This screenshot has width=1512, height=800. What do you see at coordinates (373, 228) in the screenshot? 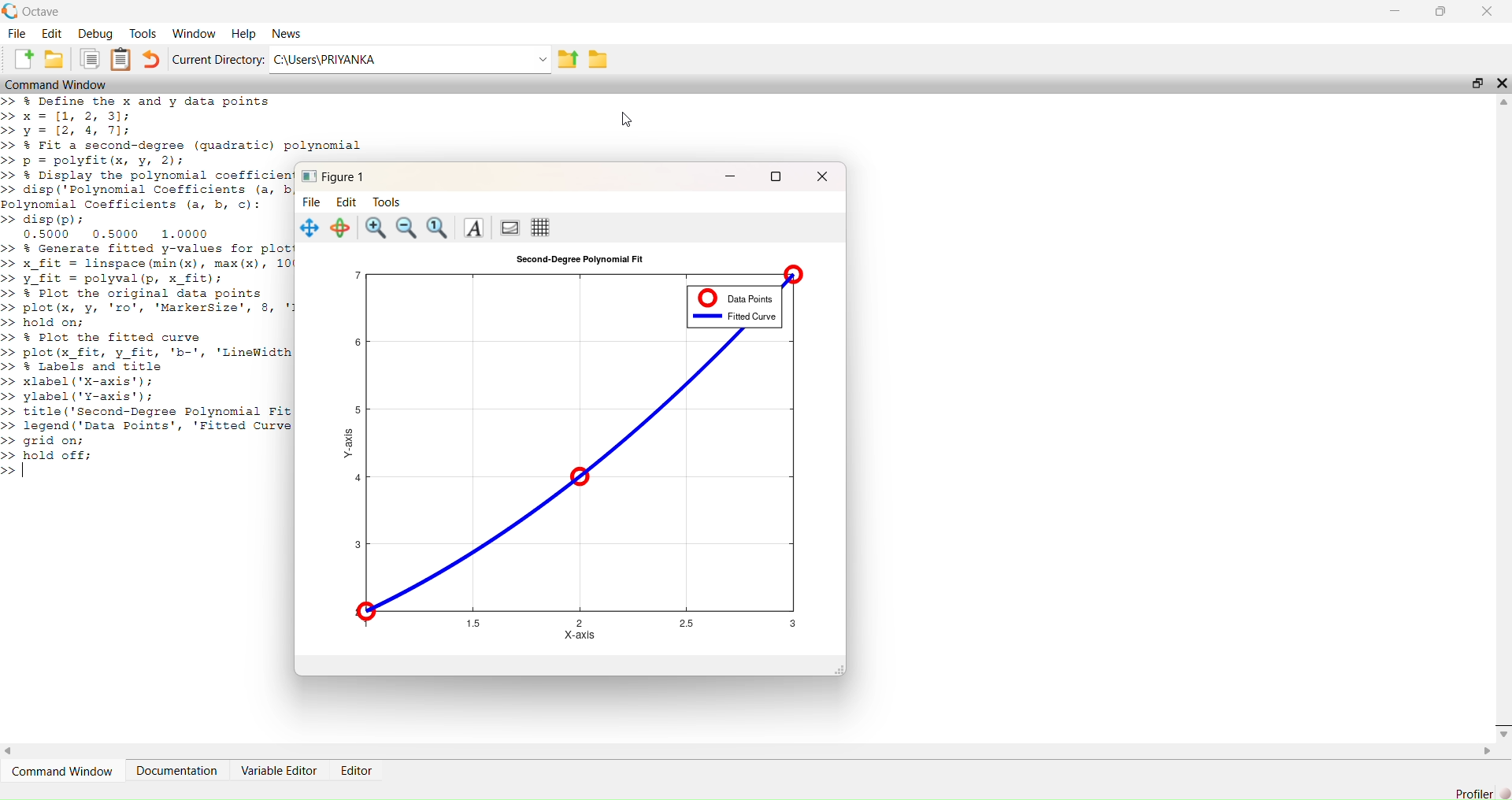
I see `Zoom in` at bounding box center [373, 228].